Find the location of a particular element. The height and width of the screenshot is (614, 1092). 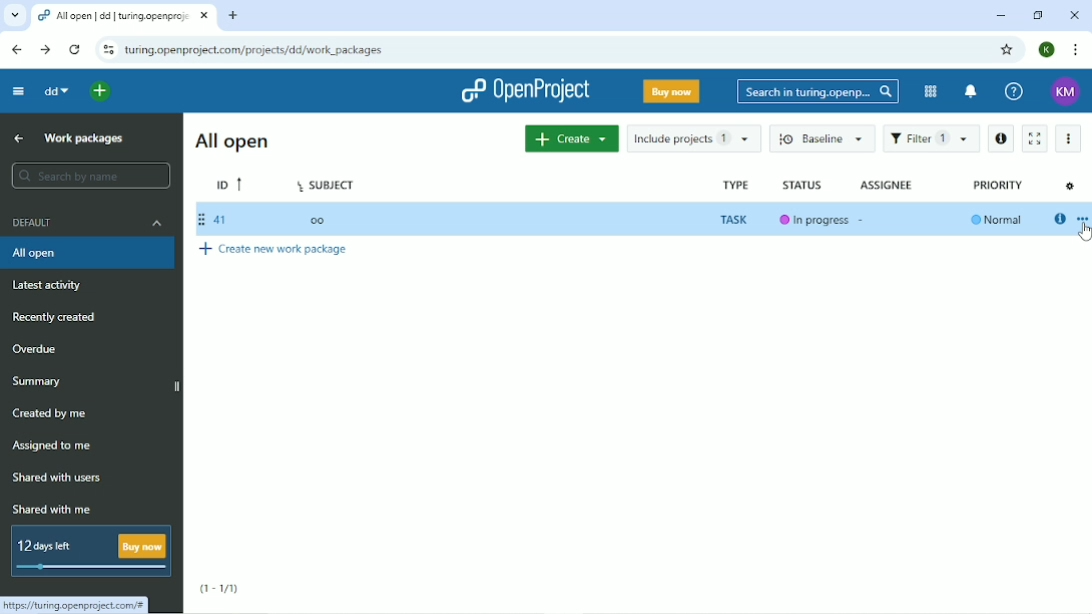

reload this page is located at coordinates (76, 50).